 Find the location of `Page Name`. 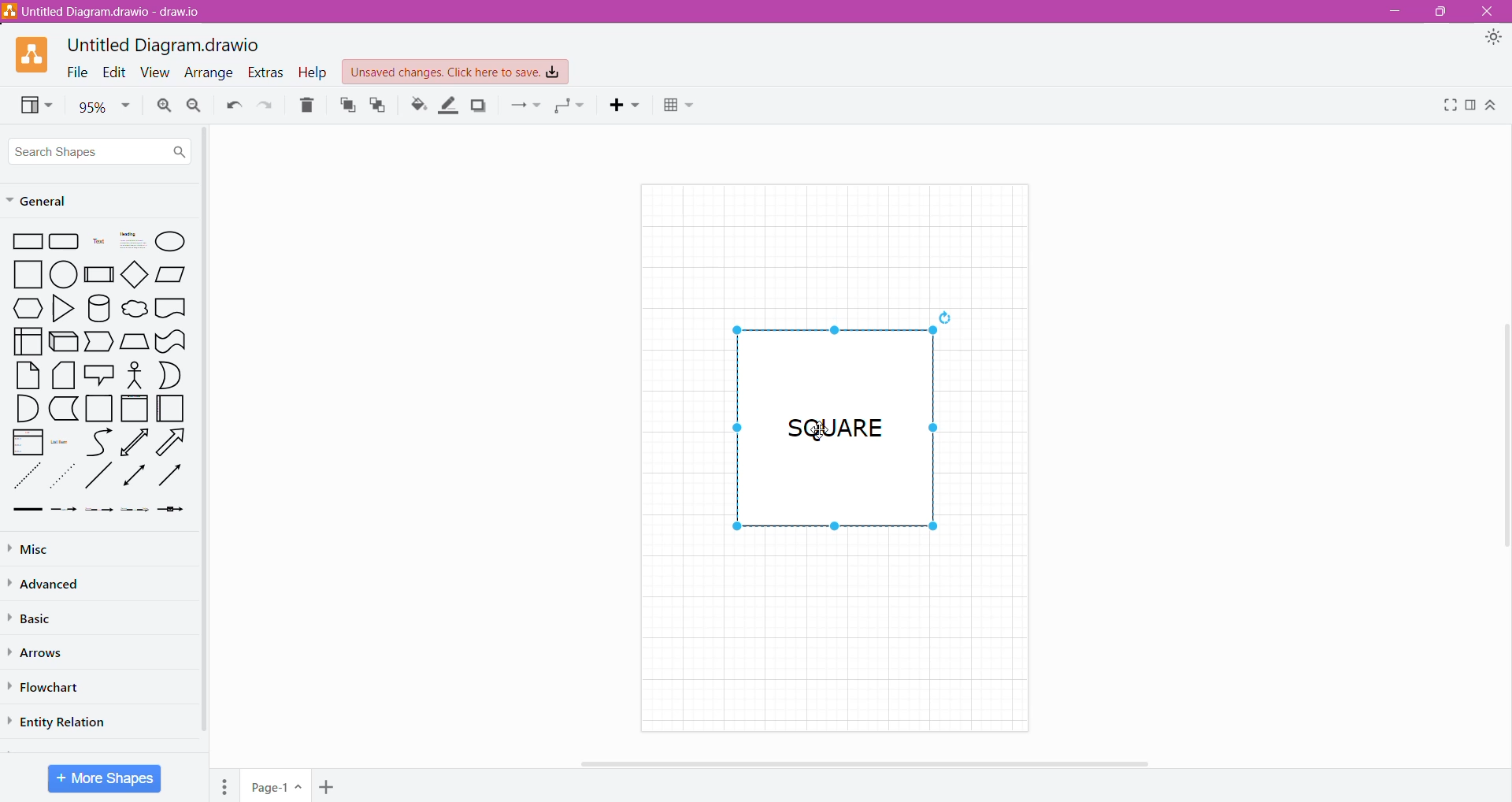

Page Name is located at coordinates (275, 788).